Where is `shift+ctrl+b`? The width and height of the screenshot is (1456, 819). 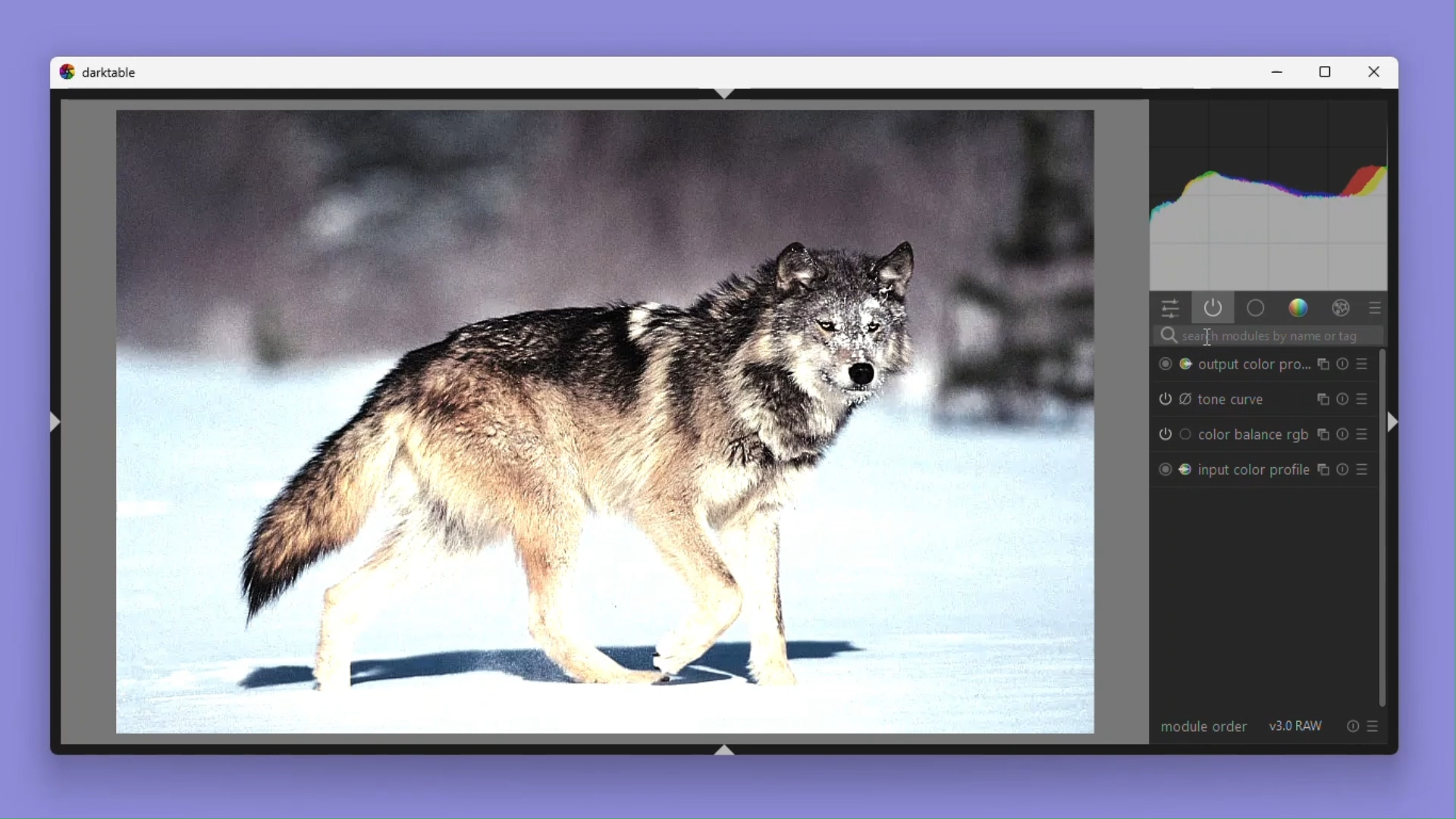
shift+ctrl+b is located at coordinates (727, 749).